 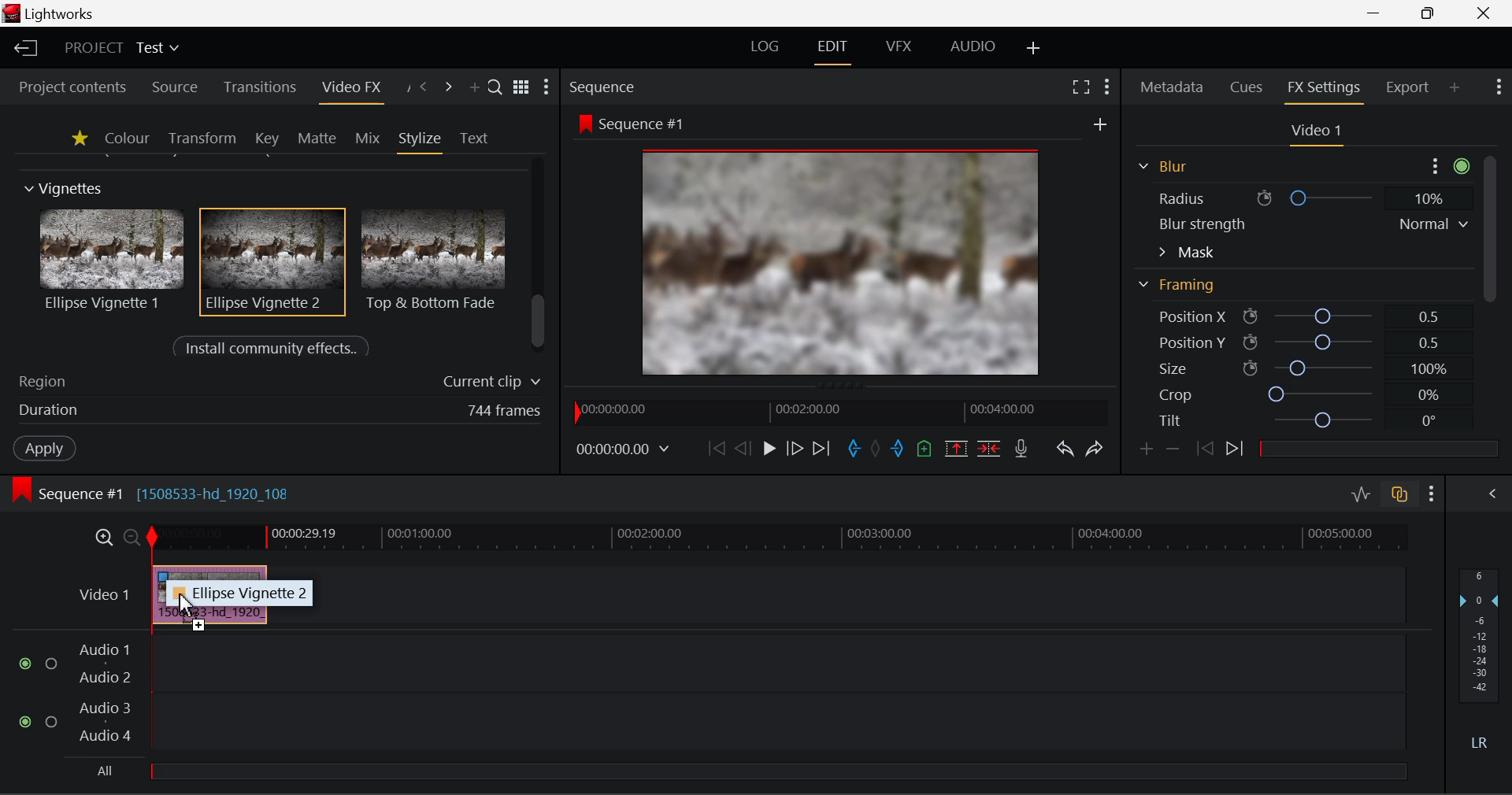 What do you see at coordinates (276, 412) in the screenshot?
I see `Duration` at bounding box center [276, 412].